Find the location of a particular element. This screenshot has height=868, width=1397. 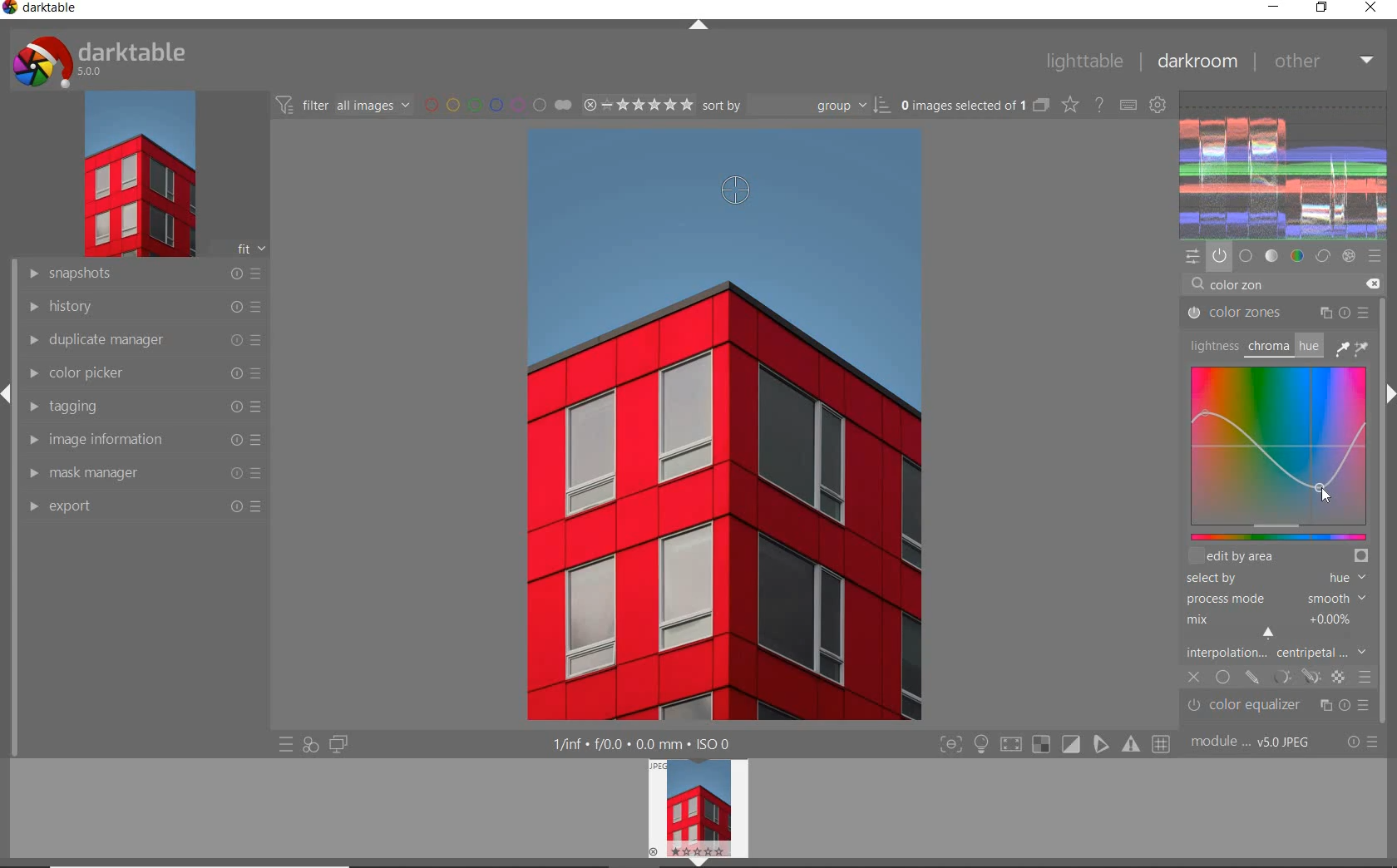

soft proofing is located at coordinates (1072, 744).